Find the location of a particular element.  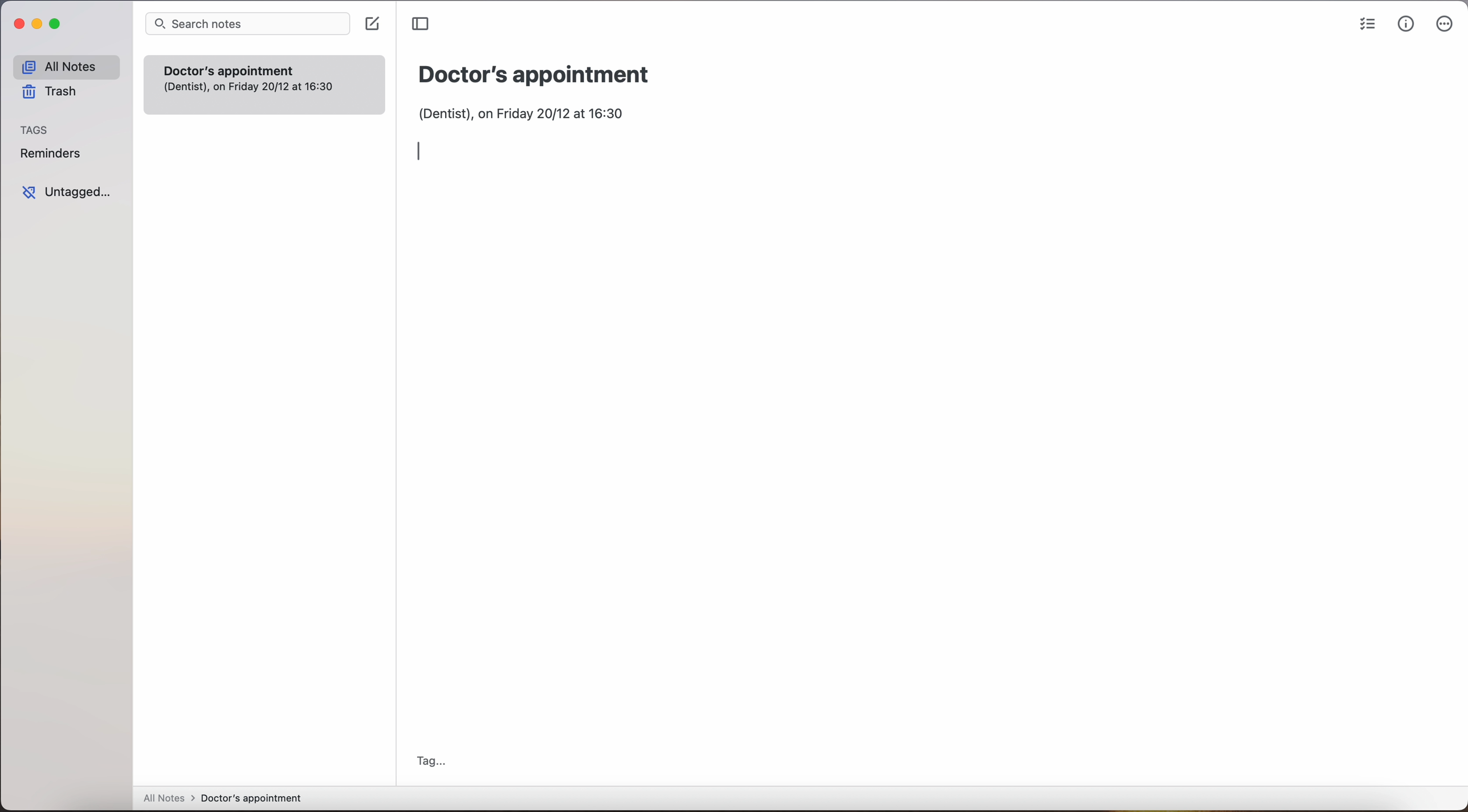

text cursor is located at coordinates (423, 150).